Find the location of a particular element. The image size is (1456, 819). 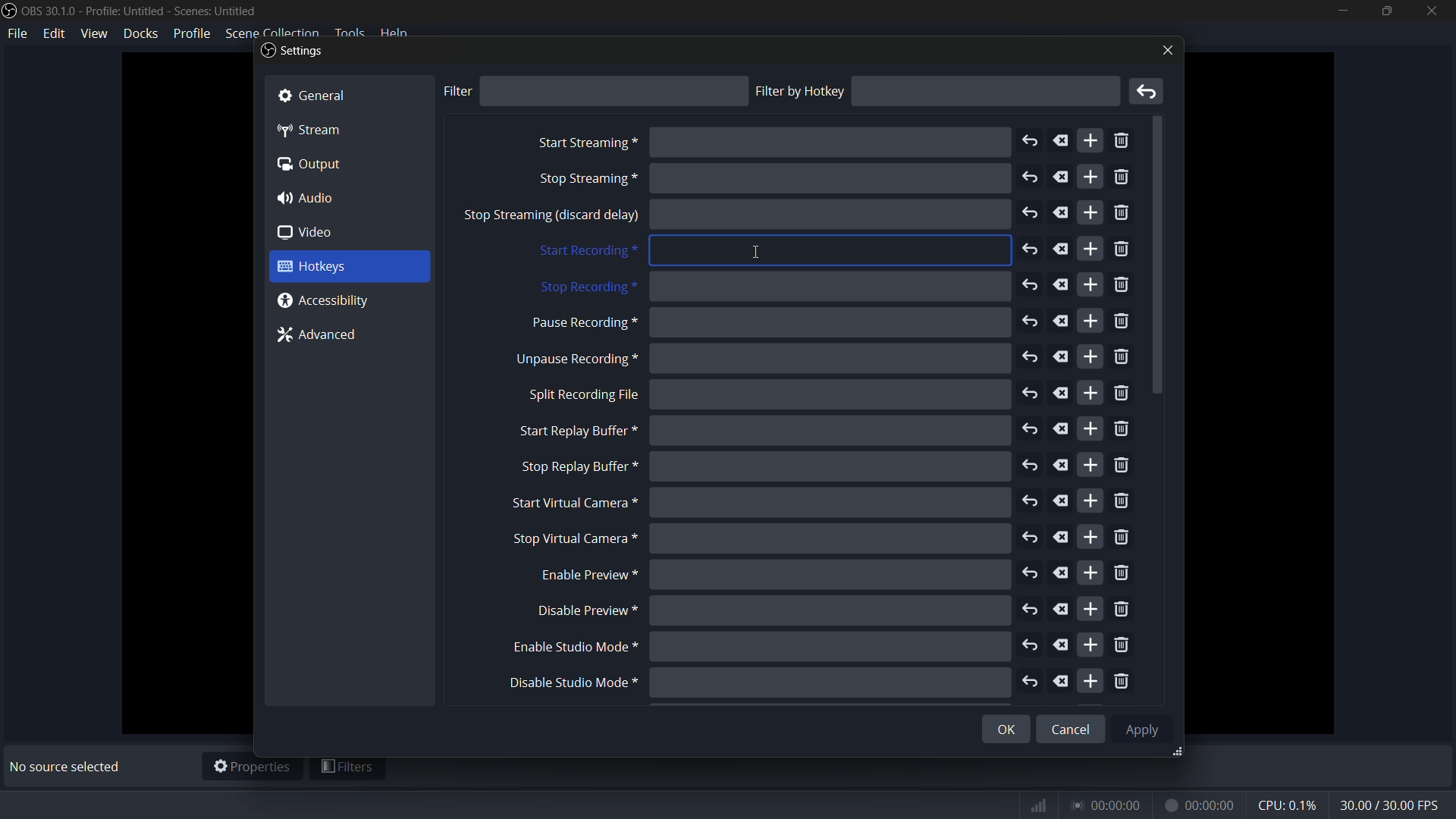

remove is located at coordinates (1121, 359).